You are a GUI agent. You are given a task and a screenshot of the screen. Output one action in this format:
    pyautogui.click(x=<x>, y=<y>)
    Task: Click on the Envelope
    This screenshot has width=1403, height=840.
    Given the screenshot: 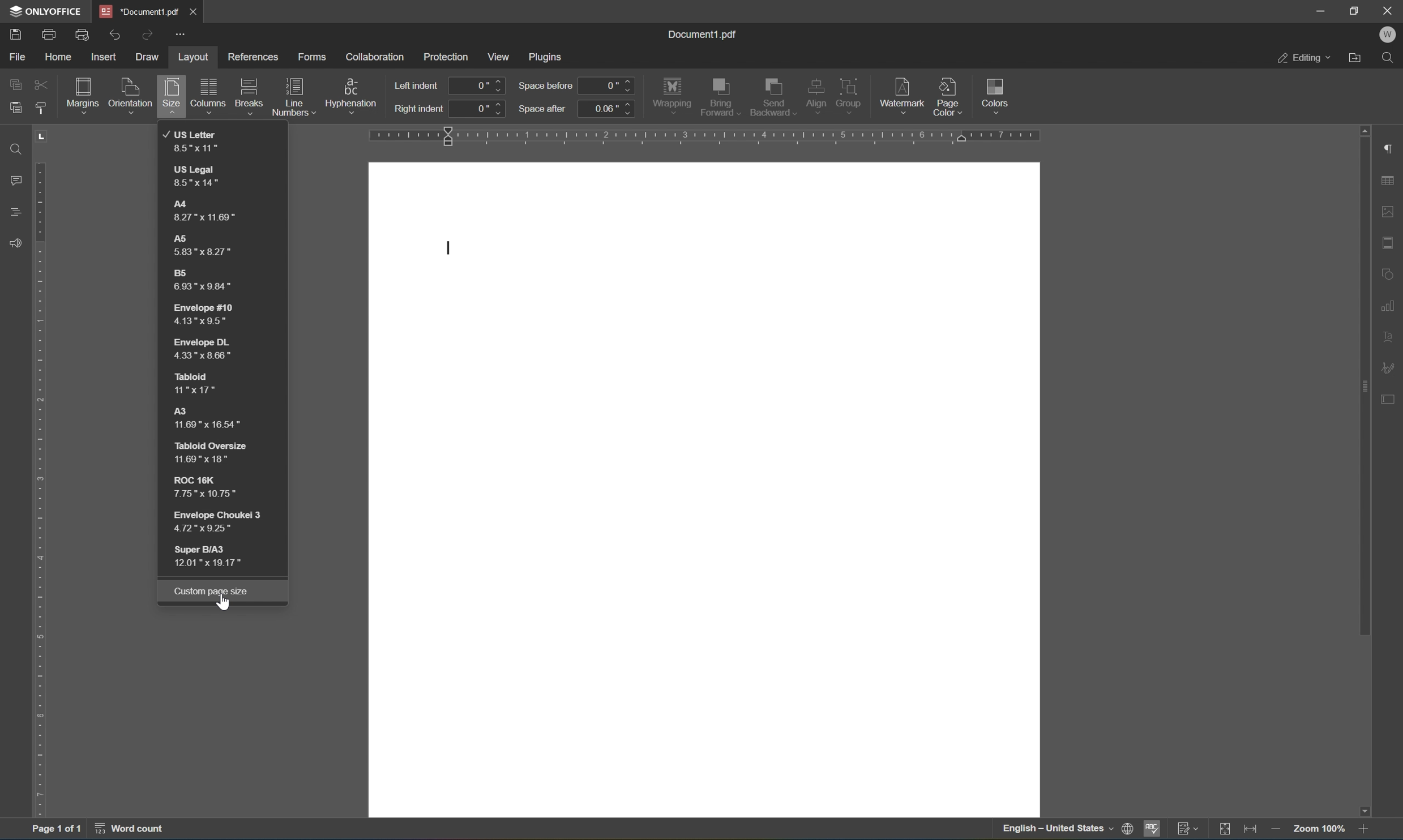 What is the action you would take?
    pyautogui.click(x=223, y=520)
    